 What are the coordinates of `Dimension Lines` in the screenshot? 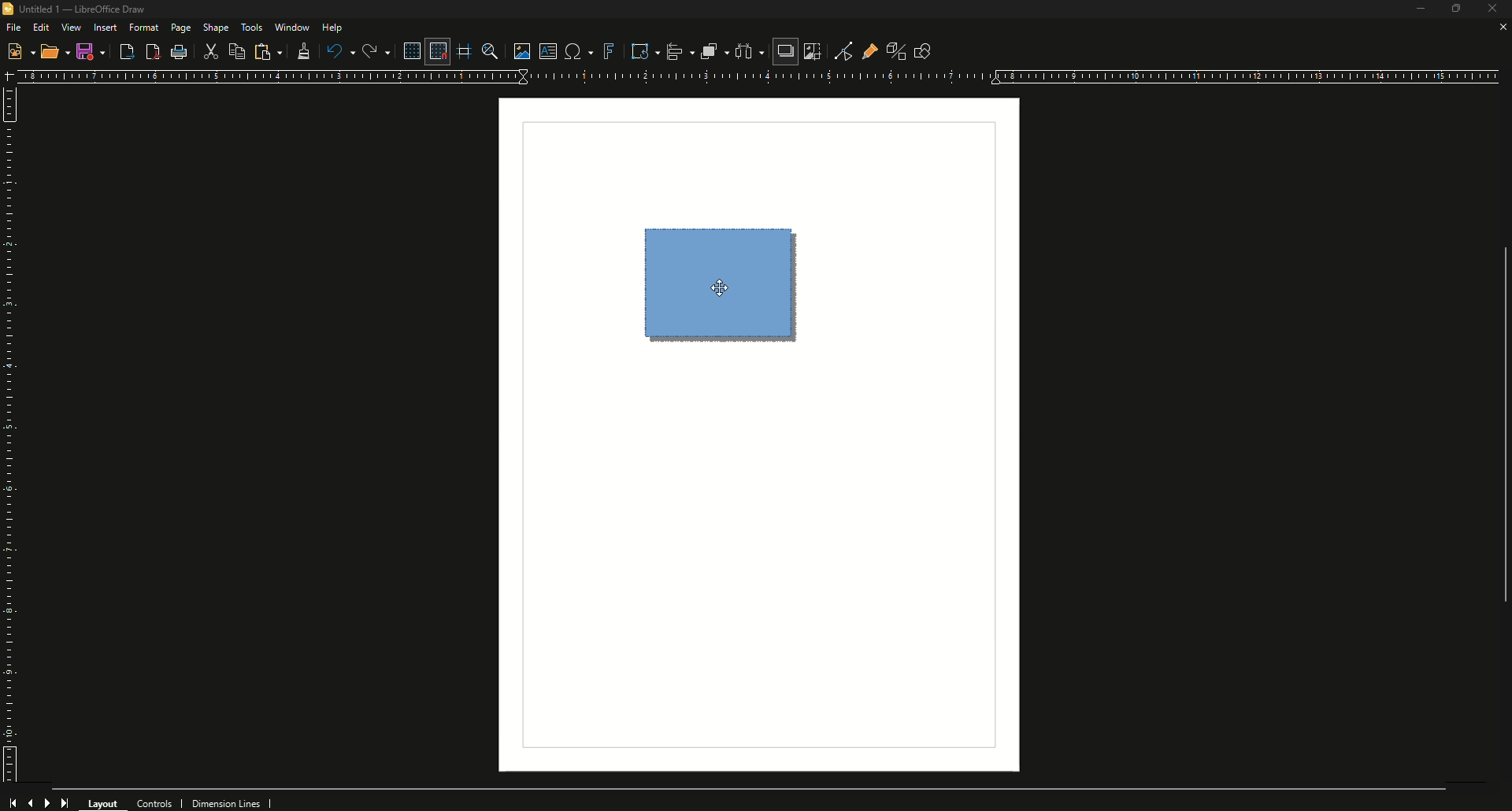 It's located at (232, 802).